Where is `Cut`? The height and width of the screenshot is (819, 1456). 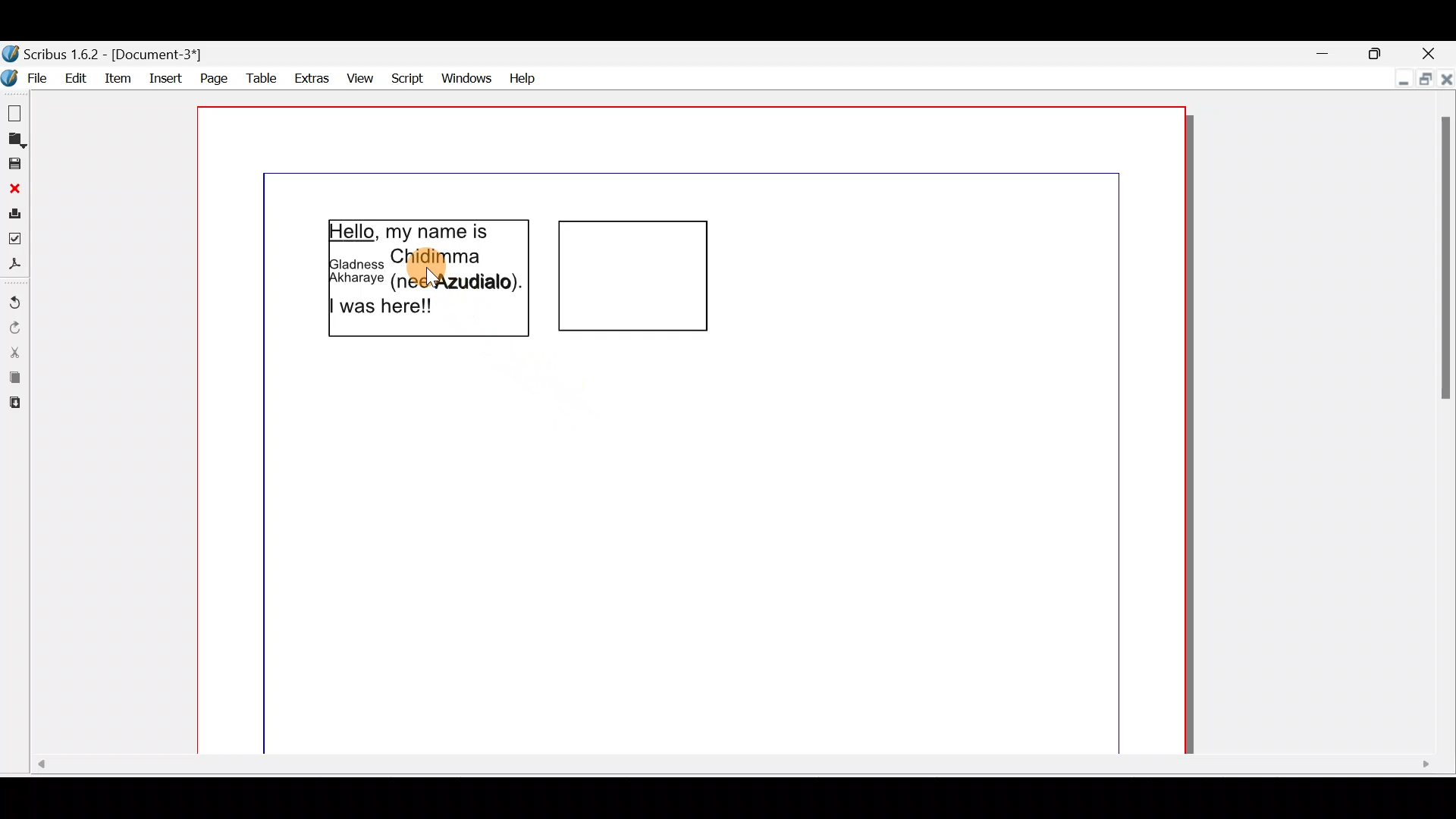
Cut is located at coordinates (15, 352).